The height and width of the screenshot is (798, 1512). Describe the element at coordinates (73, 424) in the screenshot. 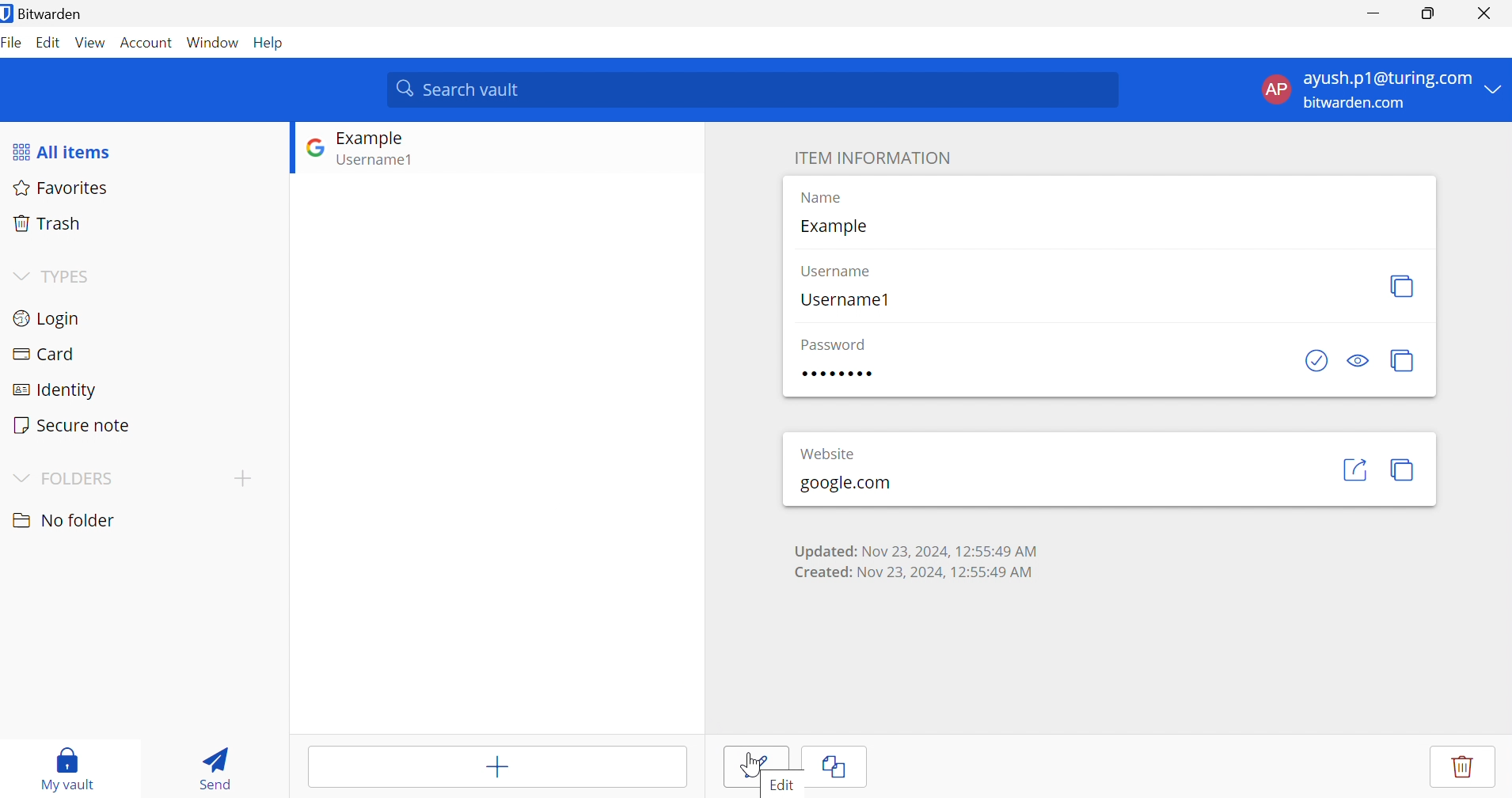

I see `Secure note` at that location.